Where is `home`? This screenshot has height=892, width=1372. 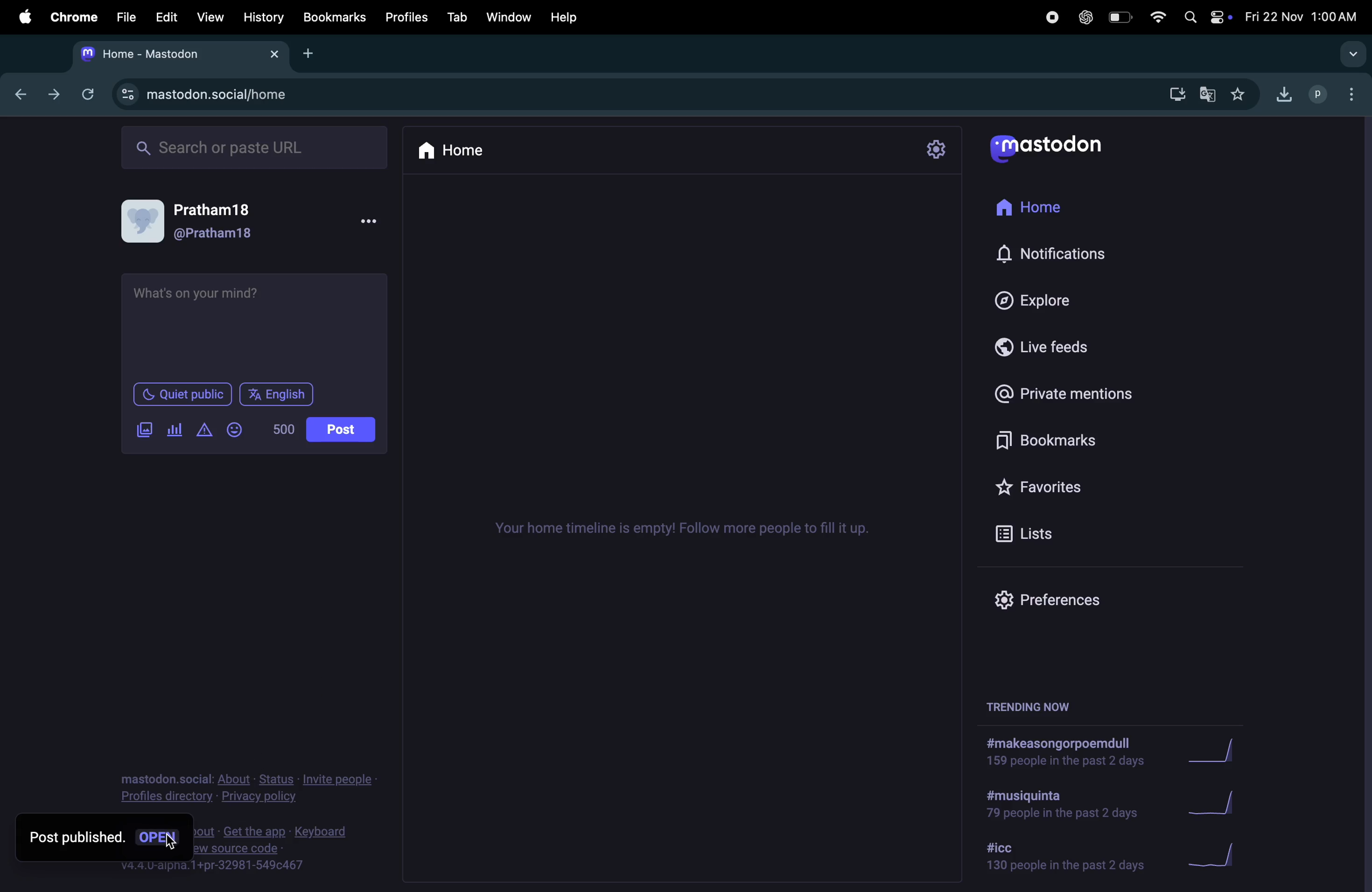 home is located at coordinates (1053, 211).